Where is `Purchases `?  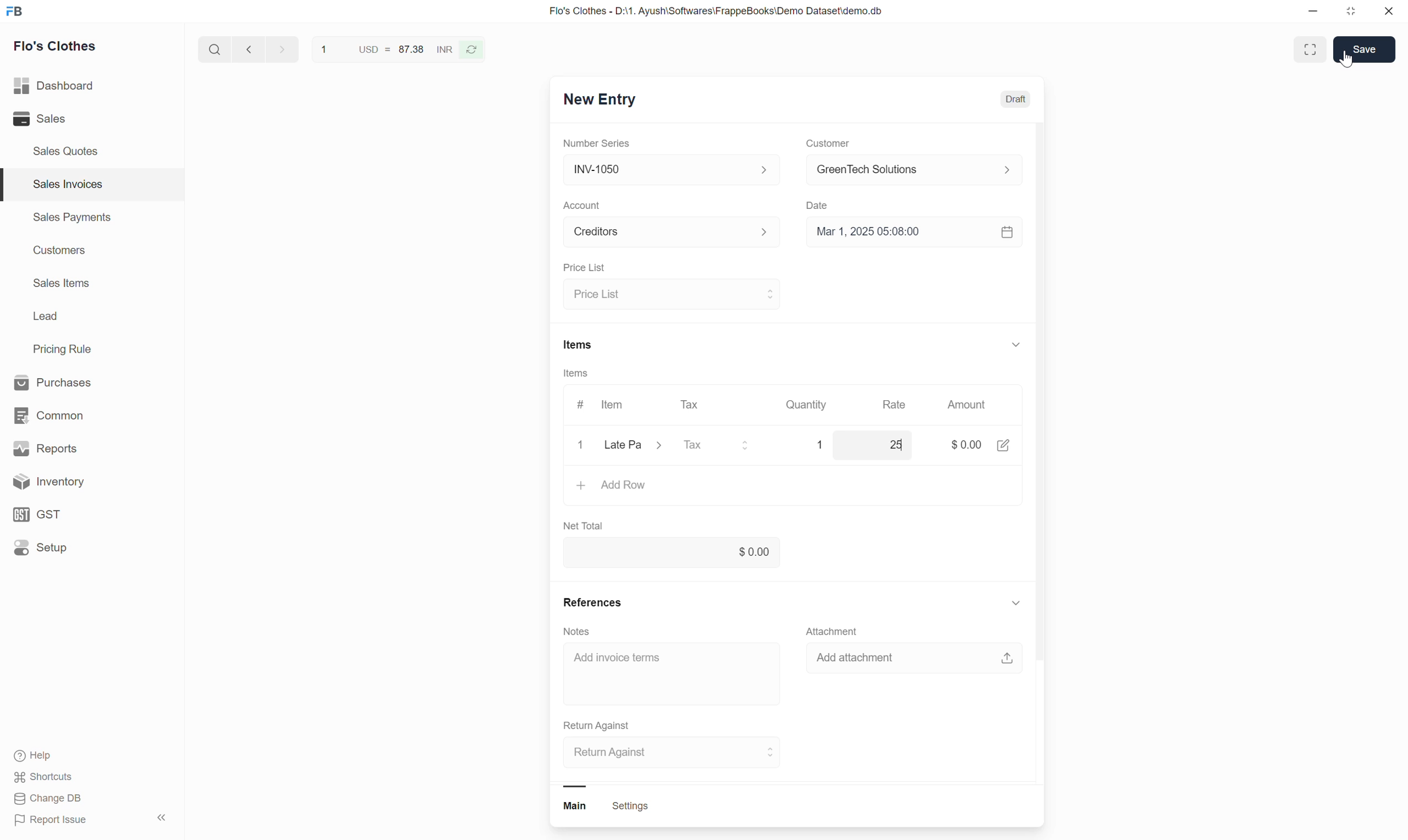 Purchases  is located at coordinates (71, 381).